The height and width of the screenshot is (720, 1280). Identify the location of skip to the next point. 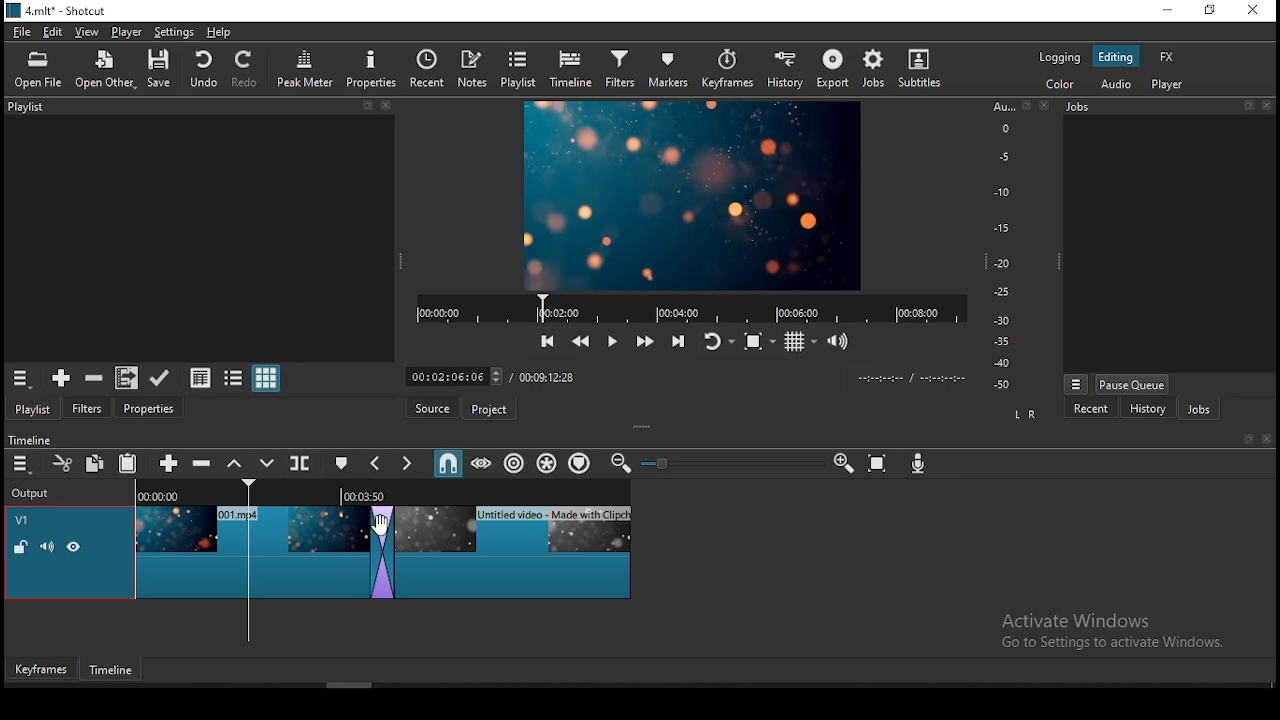
(679, 342).